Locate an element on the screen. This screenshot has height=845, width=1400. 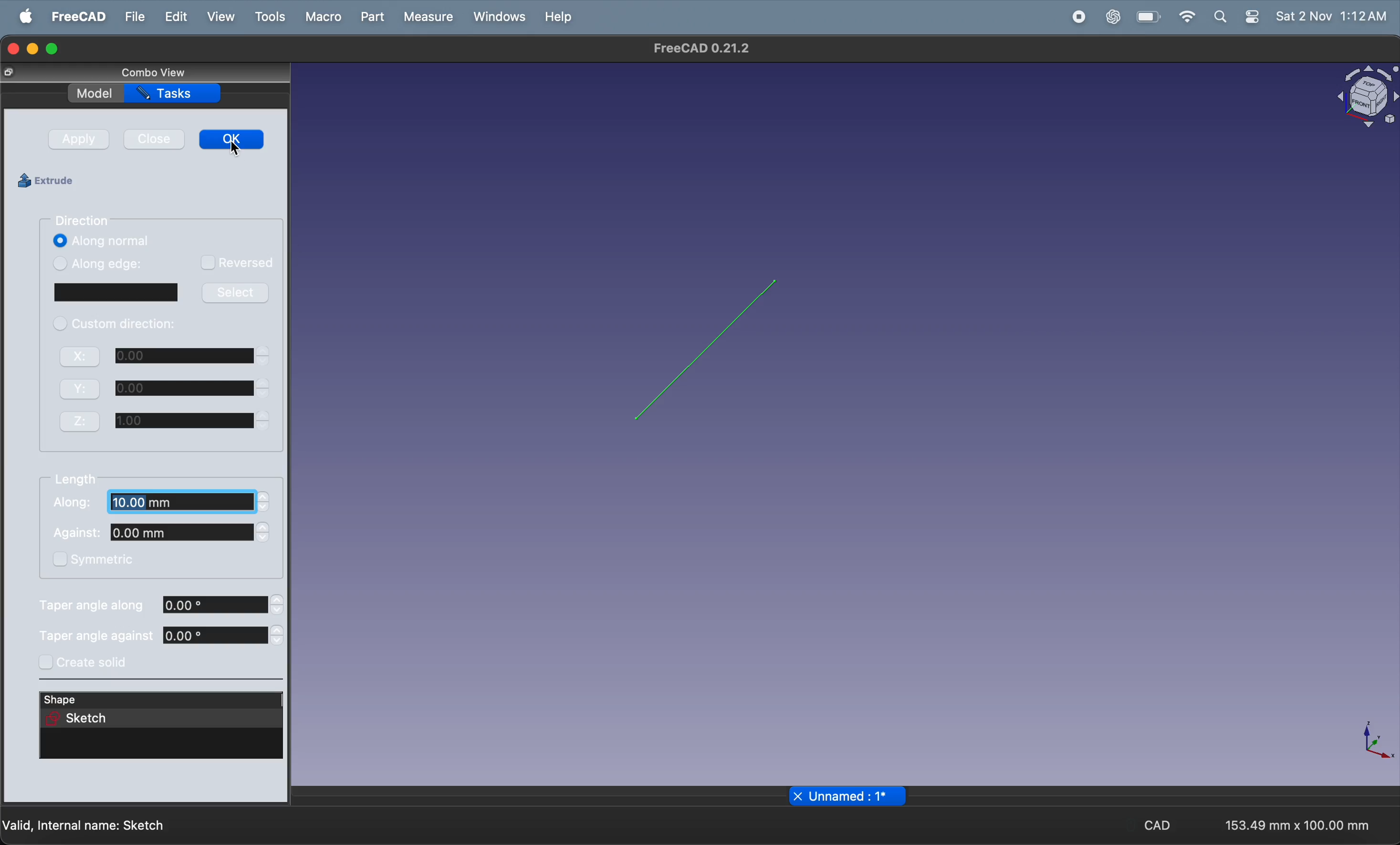
window is located at coordinates (115, 292).